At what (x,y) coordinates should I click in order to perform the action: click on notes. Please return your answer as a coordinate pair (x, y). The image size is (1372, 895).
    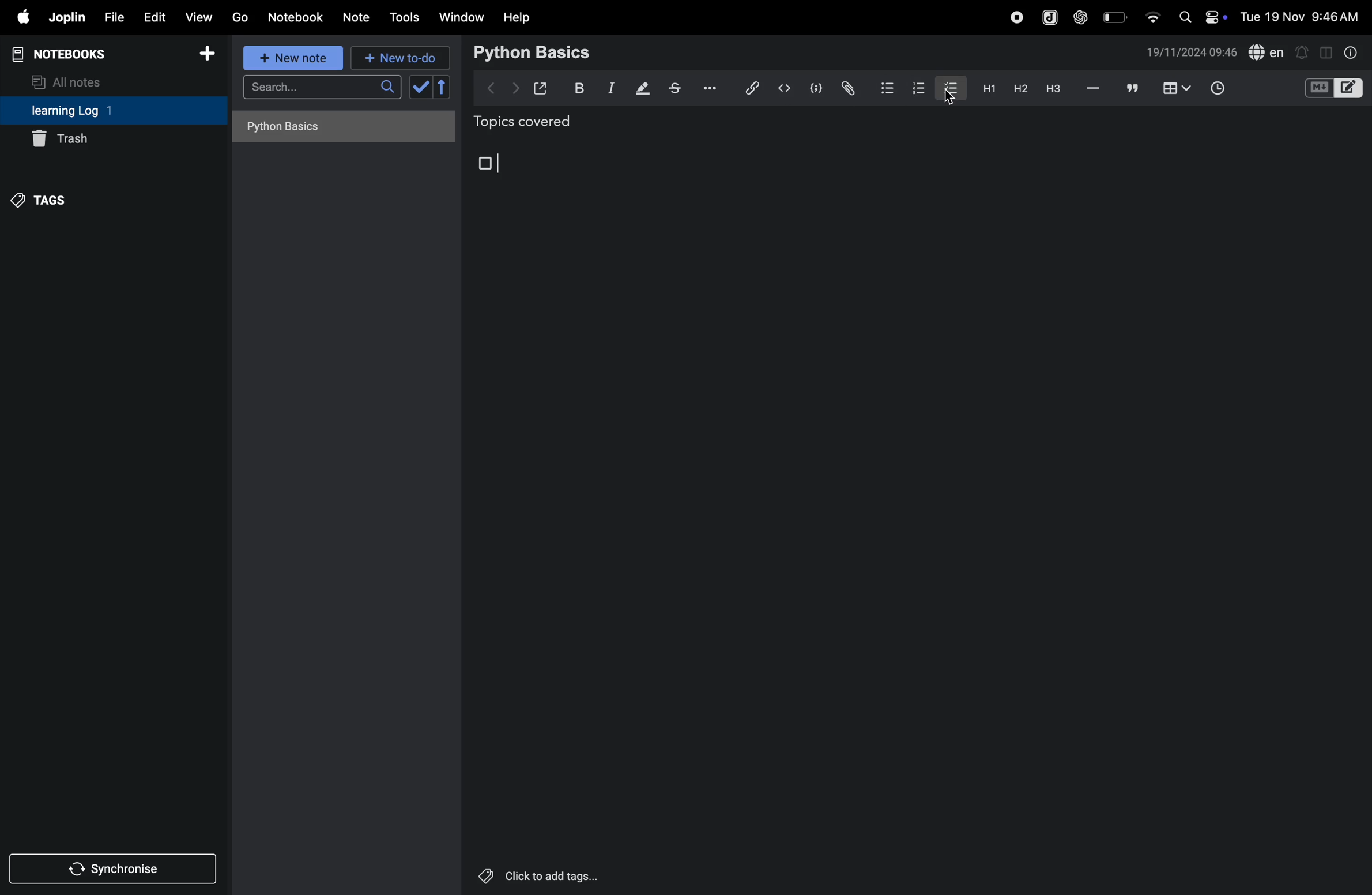
    Looking at the image, I should click on (357, 18).